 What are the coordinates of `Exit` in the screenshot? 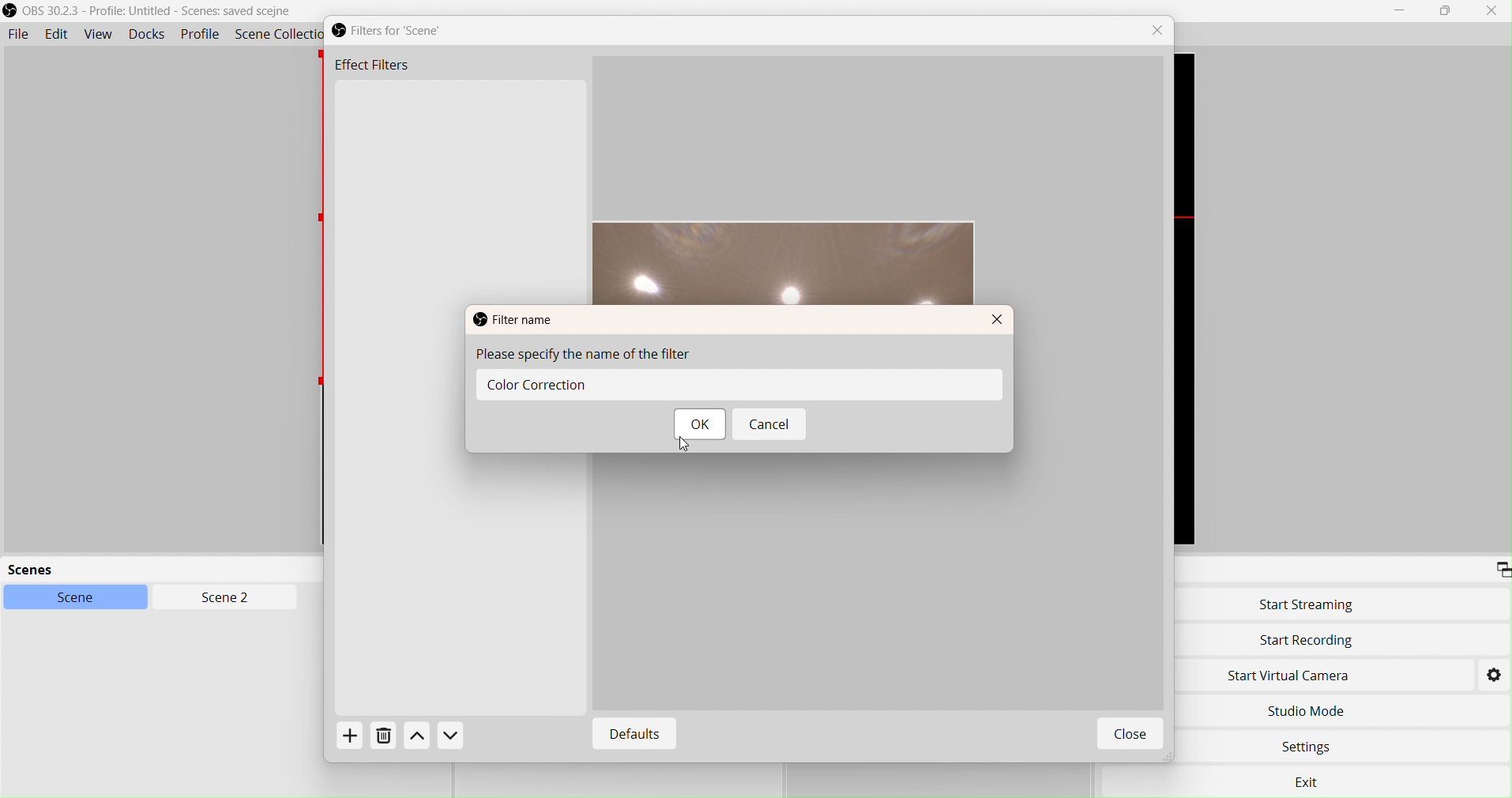 It's located at (1315, 783).